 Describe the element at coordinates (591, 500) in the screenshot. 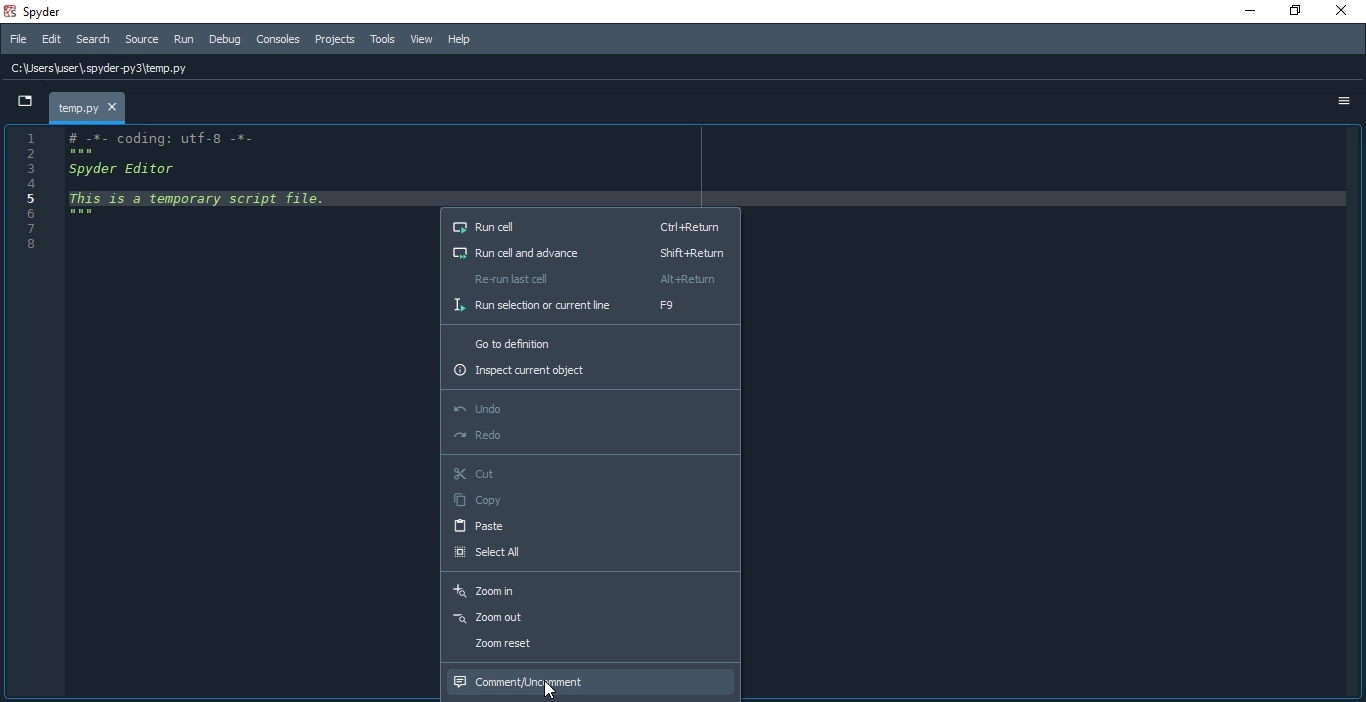

I see `Copy` at that location.